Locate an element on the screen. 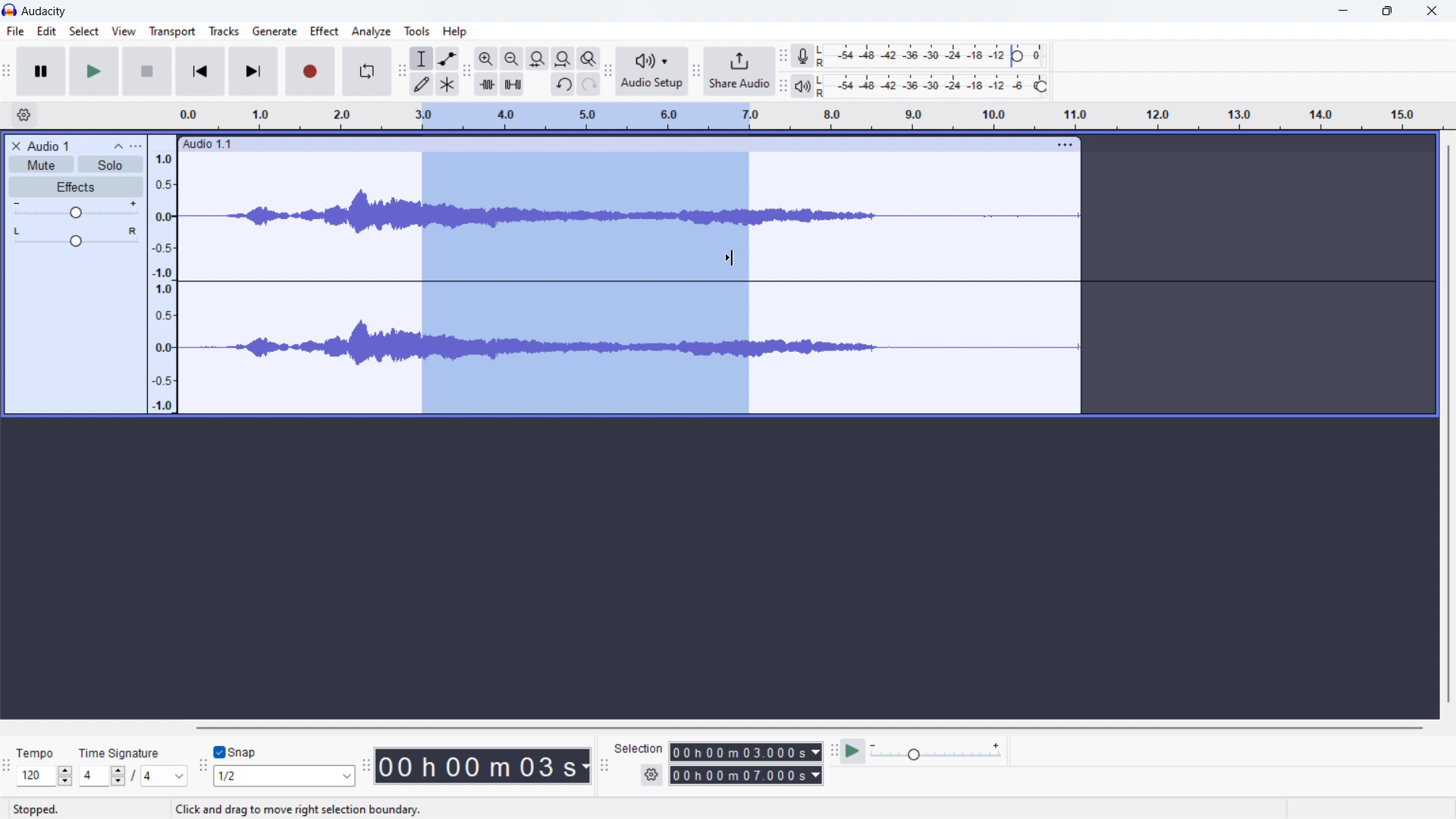  recording meter toolbar is located at coordinates (783, 56).